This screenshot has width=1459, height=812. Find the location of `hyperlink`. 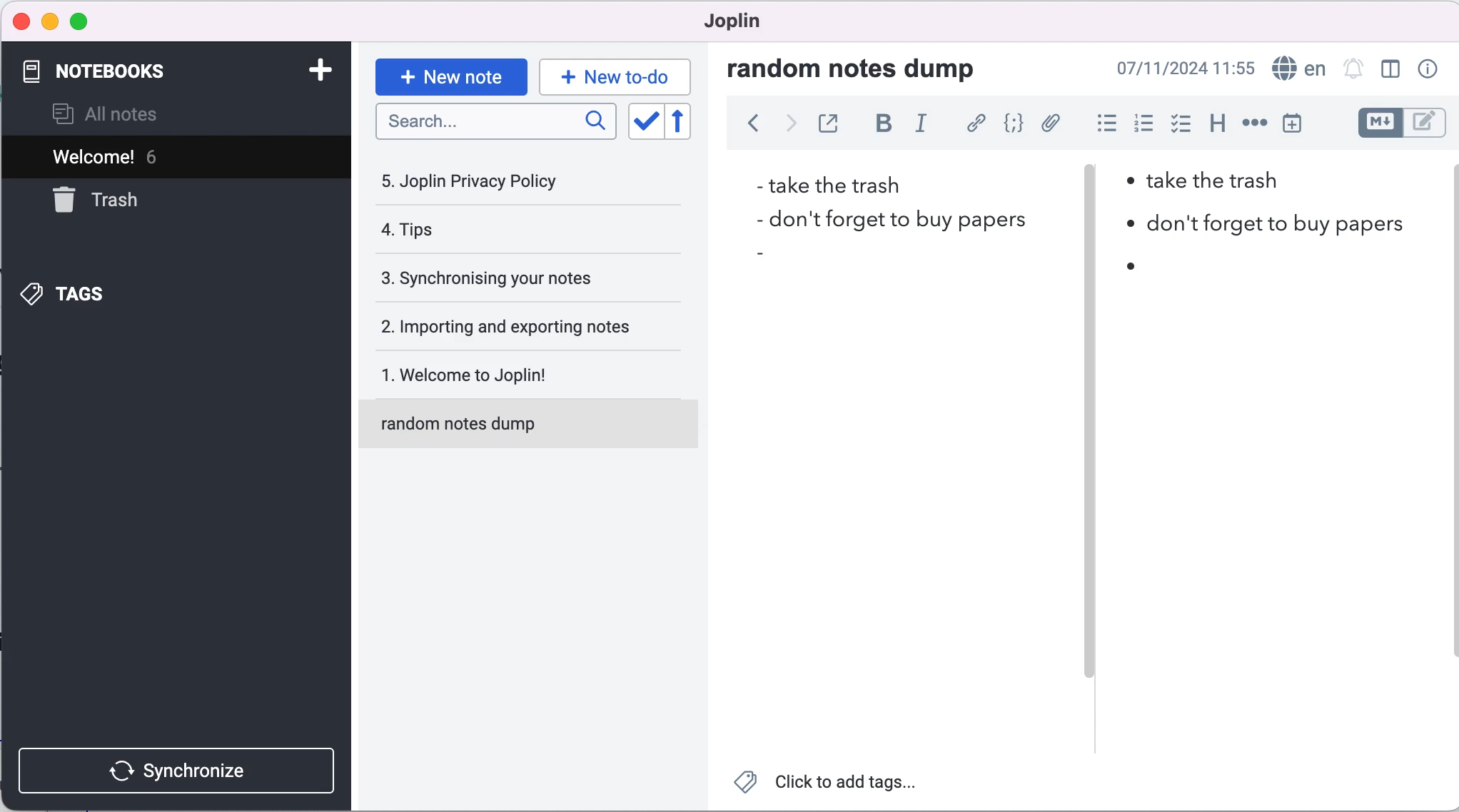

hyperlink is located at coordinates (973, 124).